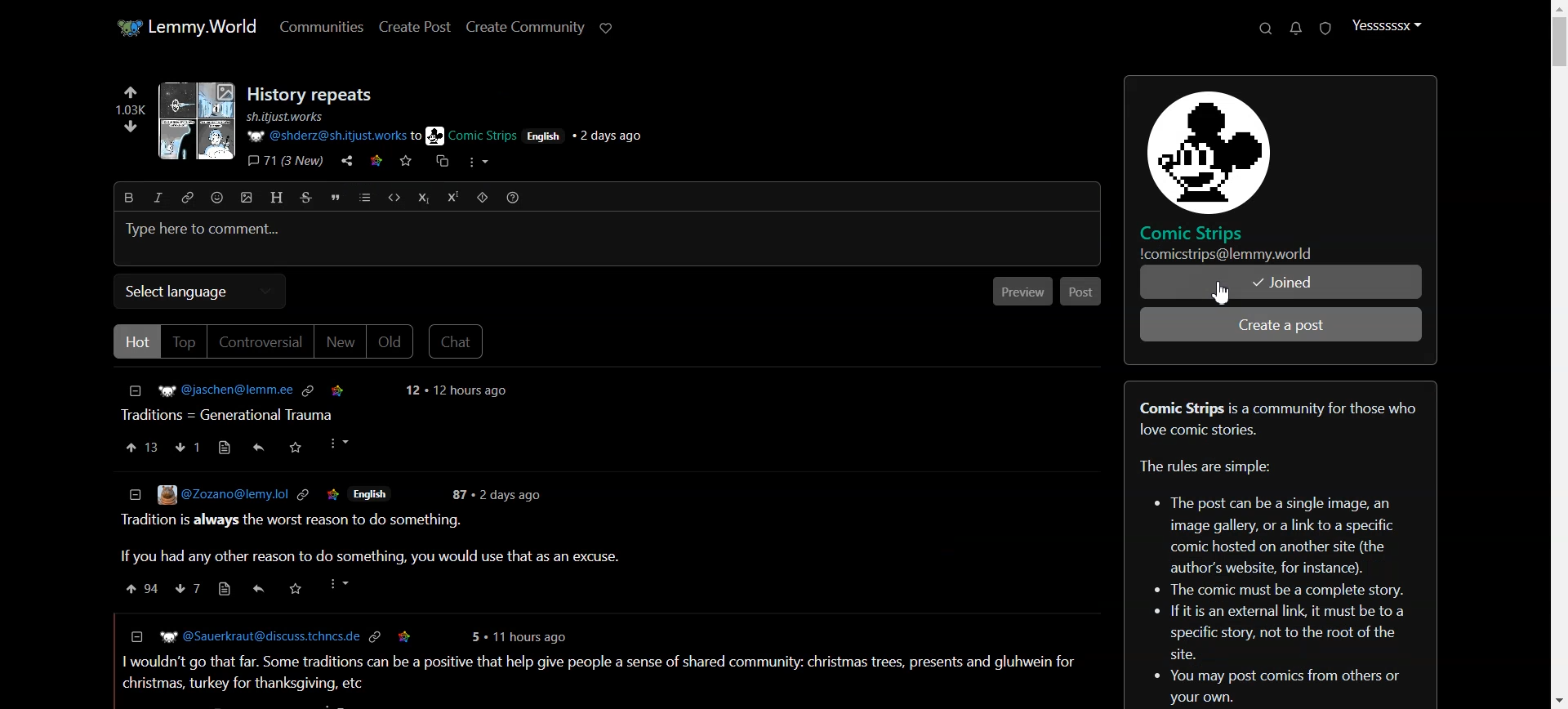  Describe the element at coordinates (313, 95) in the screenshot. I see `History repeat` at that location.